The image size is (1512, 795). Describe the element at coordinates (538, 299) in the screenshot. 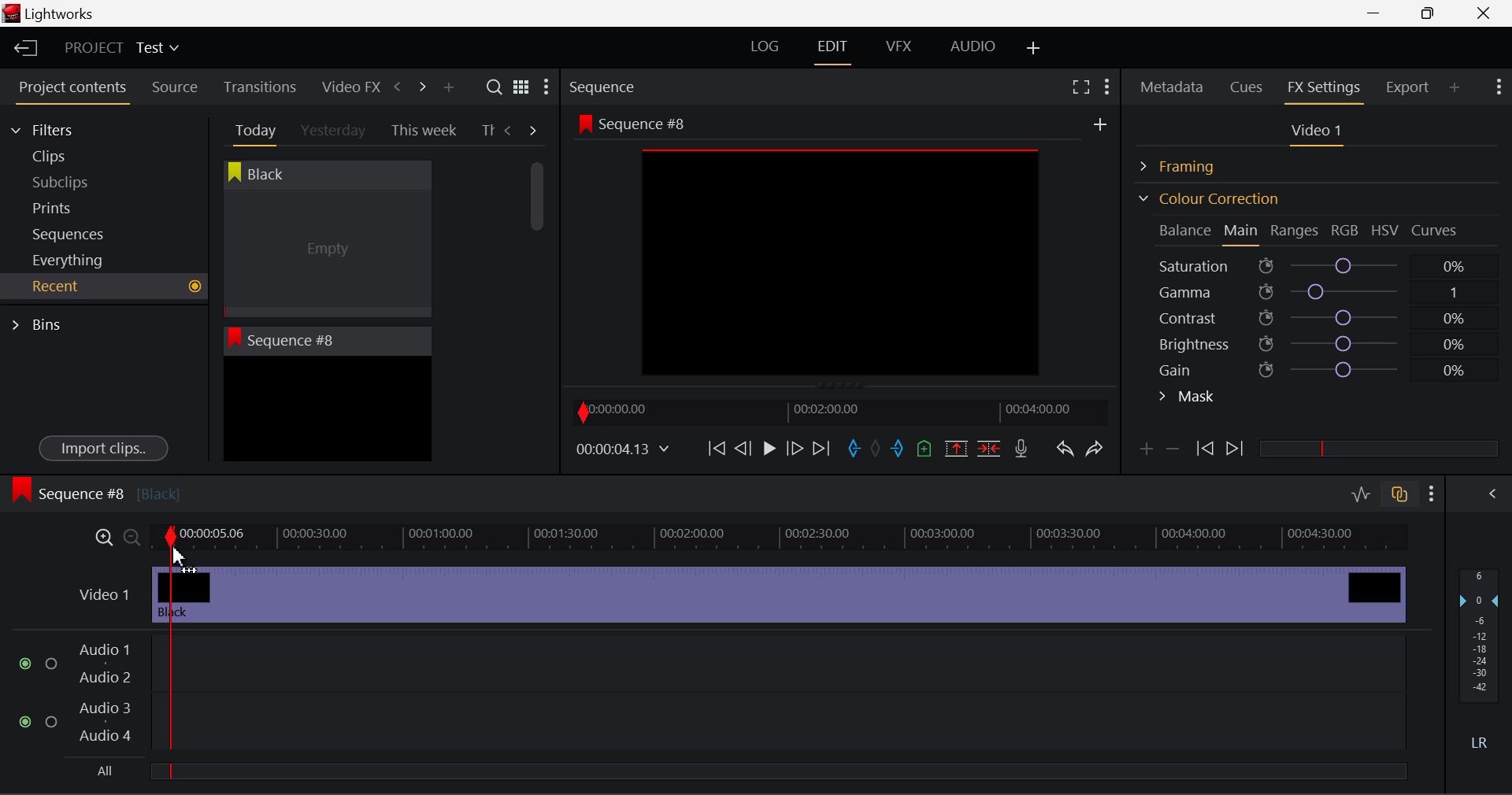

I see `Scroll Bar` at that location.